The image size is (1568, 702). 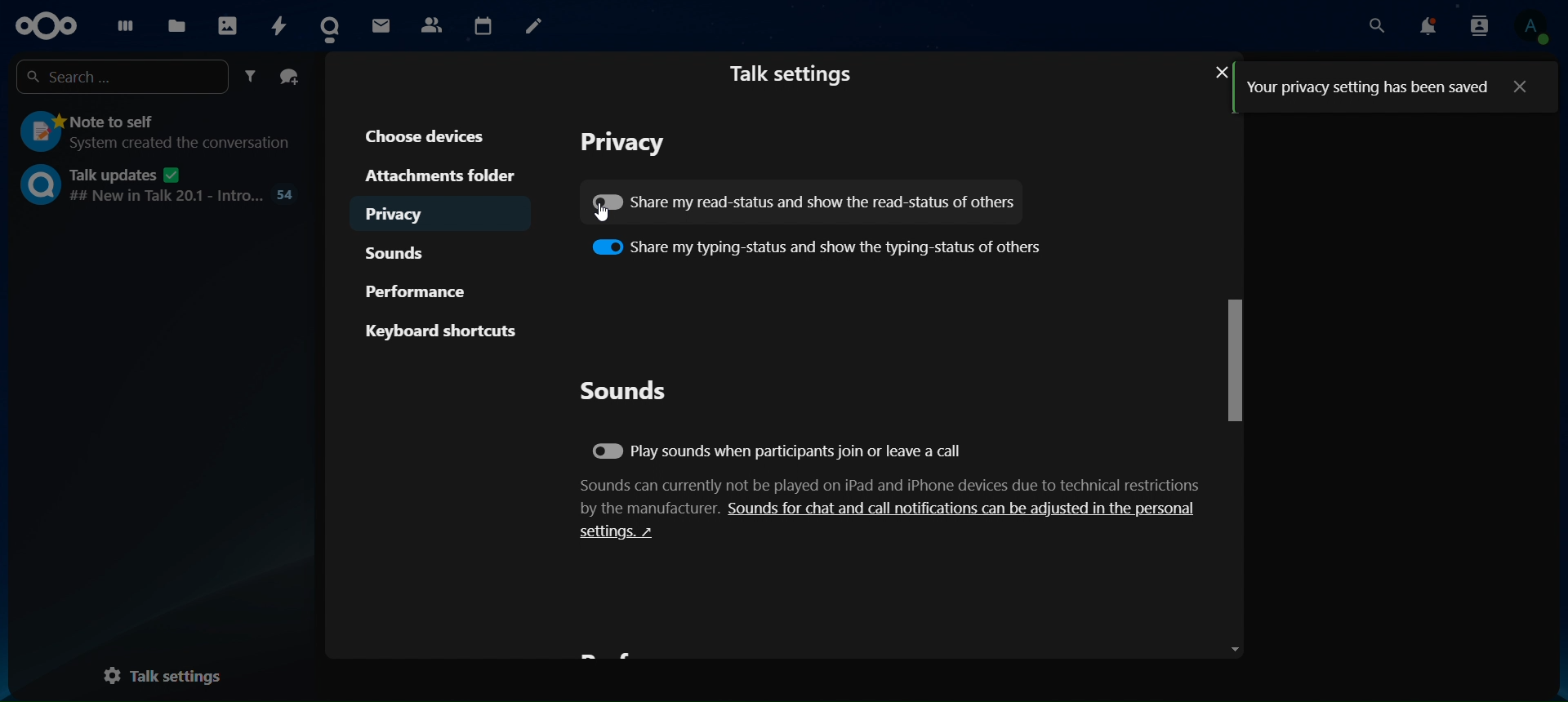 I want to click on search, so click(x=1379, y=25).